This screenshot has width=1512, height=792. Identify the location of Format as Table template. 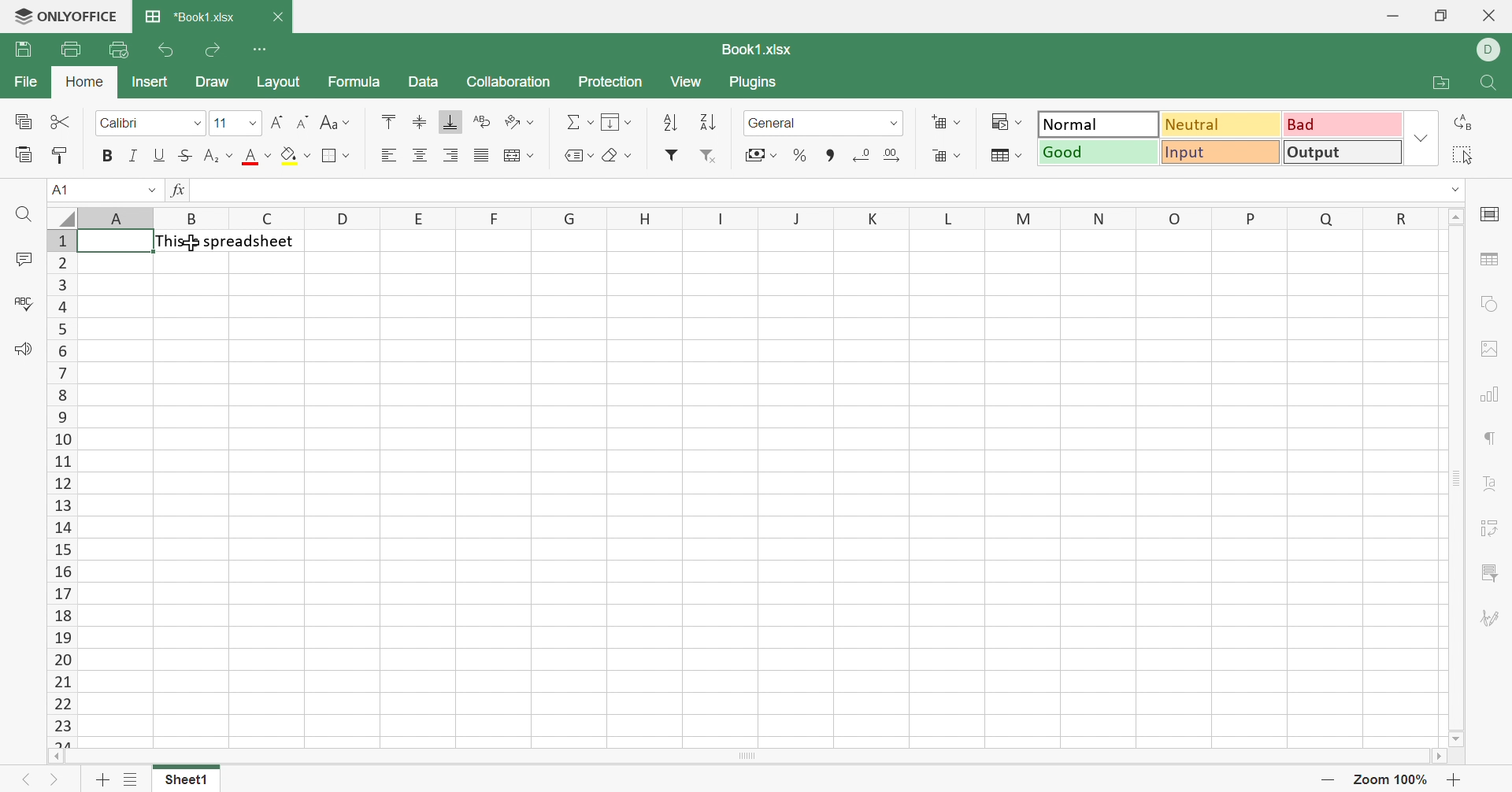
(998, 157).